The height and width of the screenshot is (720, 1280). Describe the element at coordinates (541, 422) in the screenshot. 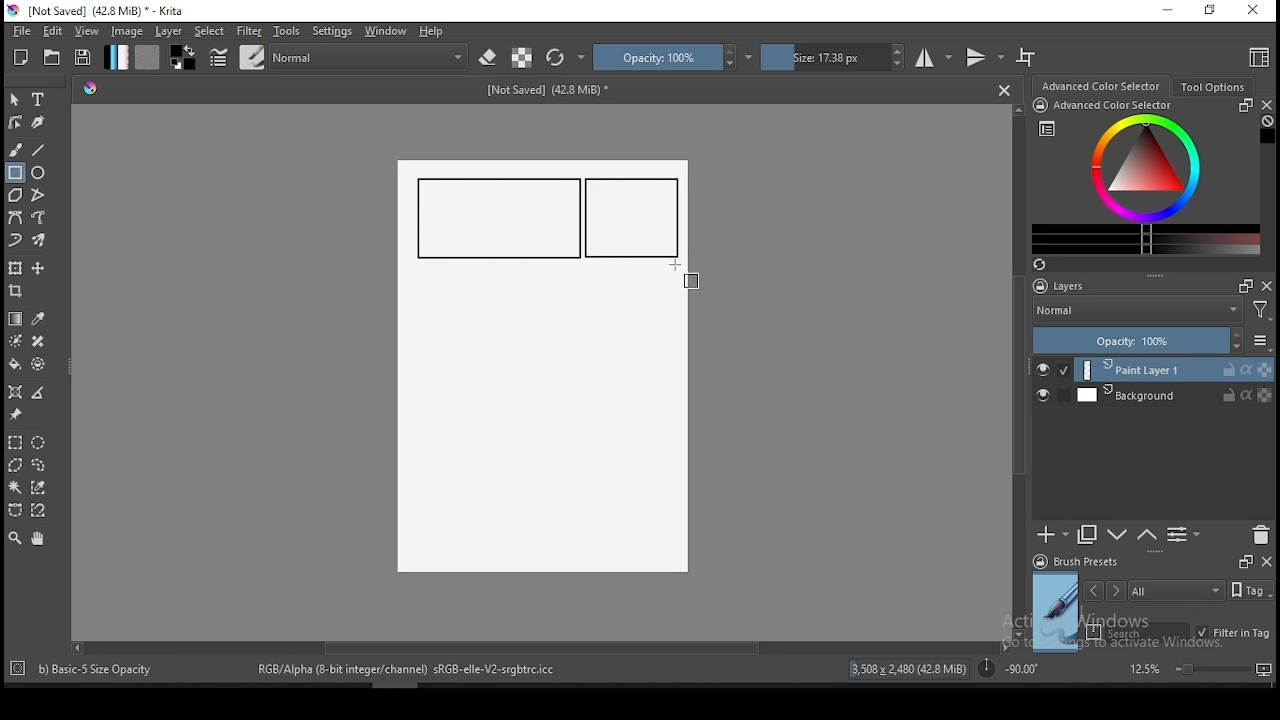

I see `Image` at that location.